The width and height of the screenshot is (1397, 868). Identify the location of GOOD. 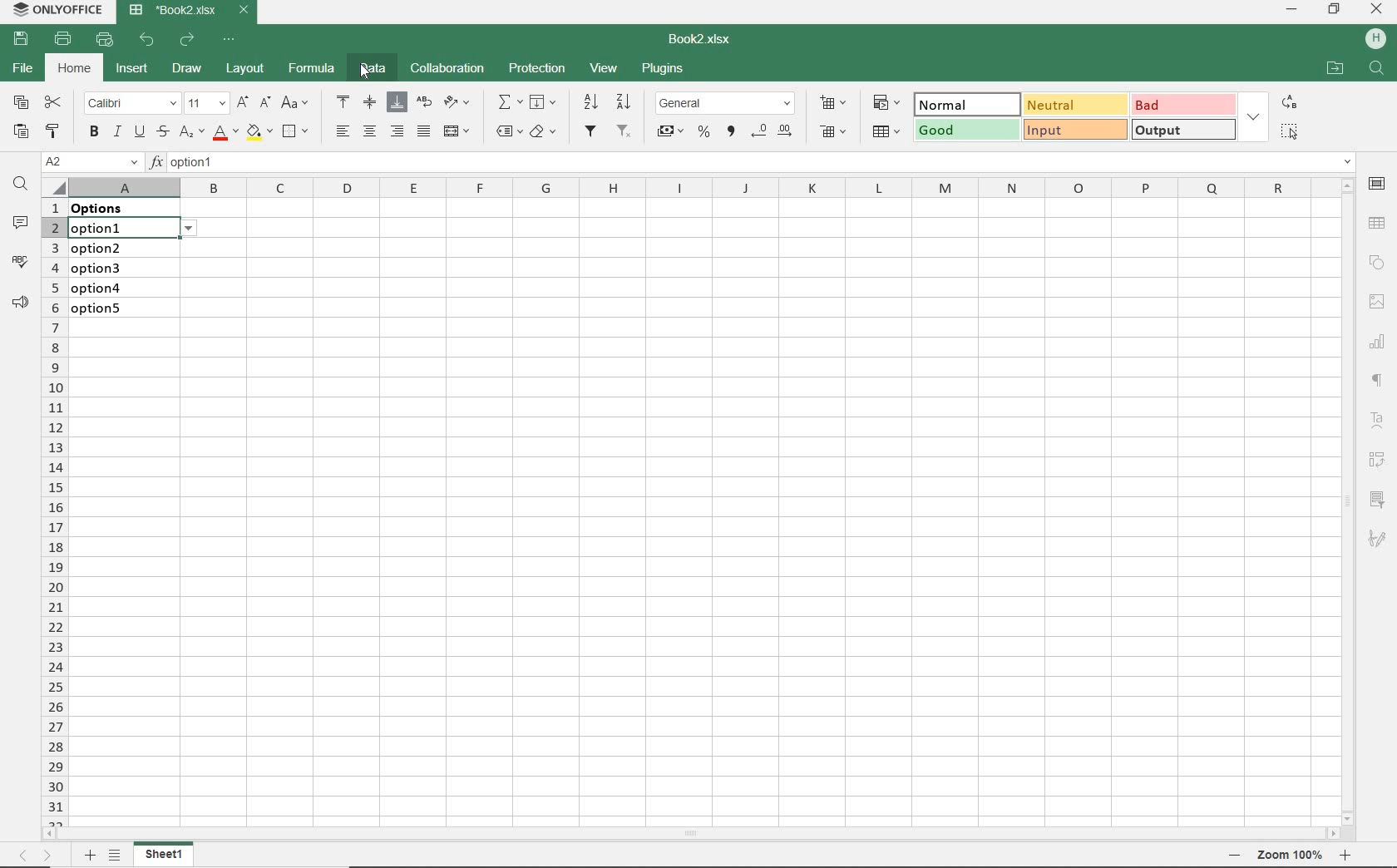
(964, 129).